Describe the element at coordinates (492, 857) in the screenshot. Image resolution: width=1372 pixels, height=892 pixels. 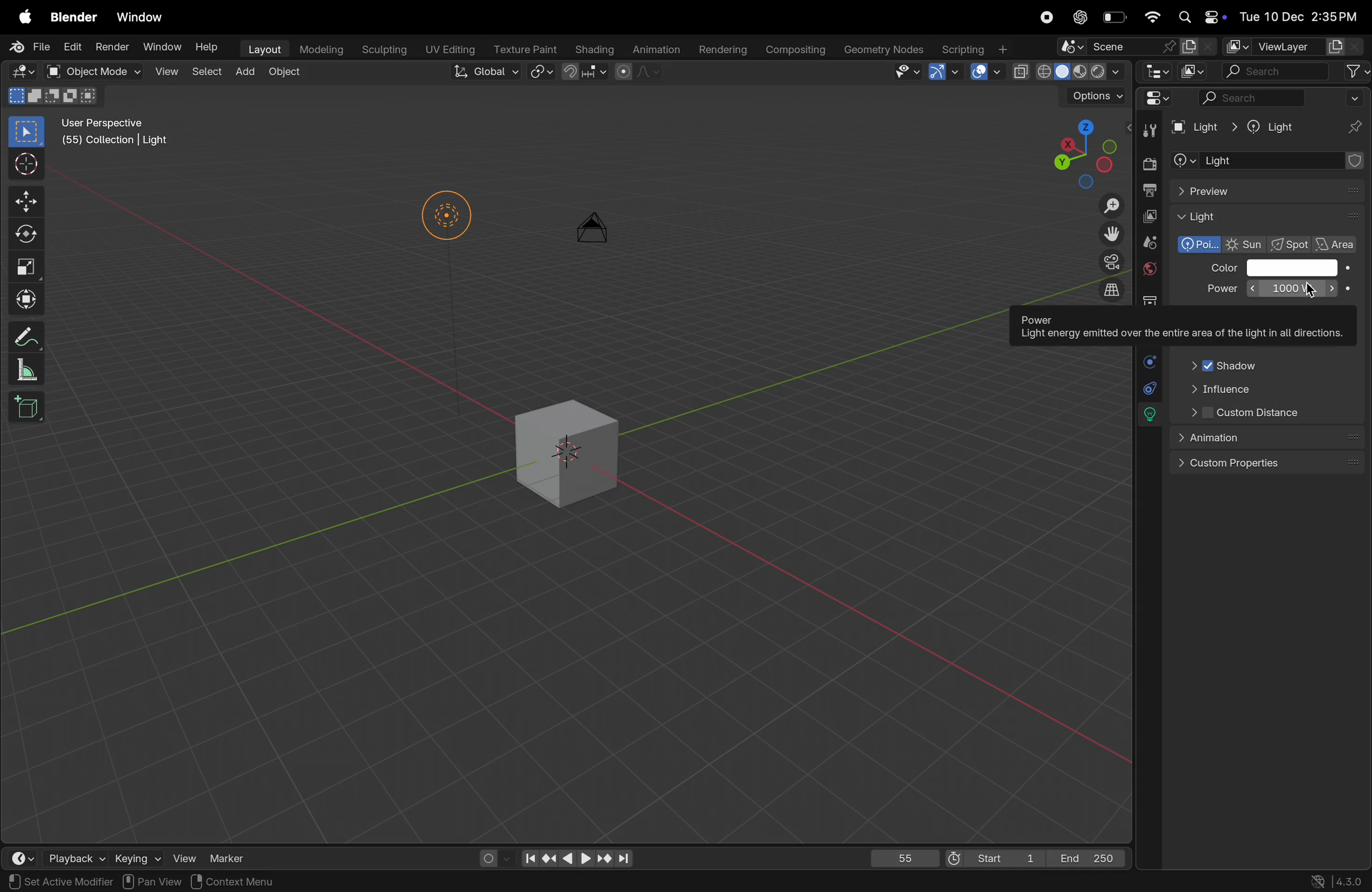
I see `auto keying` at that location.